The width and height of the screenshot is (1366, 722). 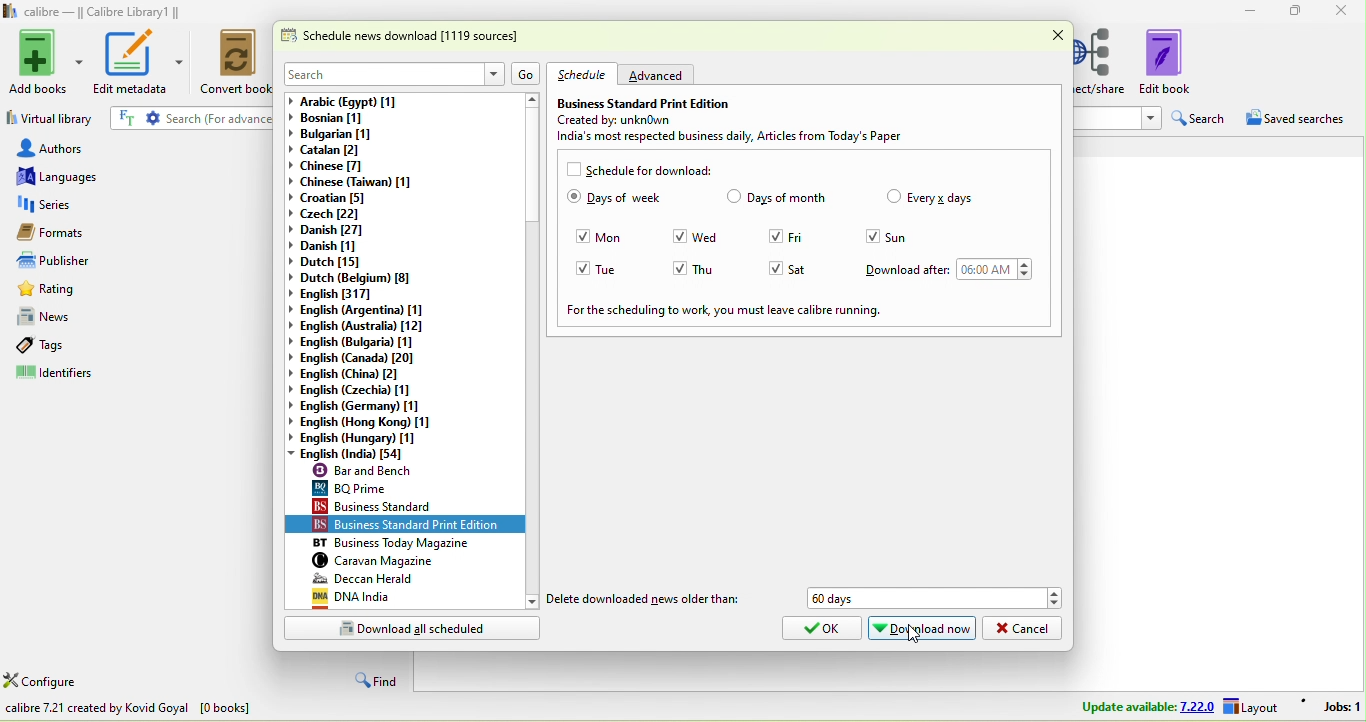 What do you see at coordinates (1254, 11) in the screenshot?
I see `minimize` at bounding box center [1254, 11].